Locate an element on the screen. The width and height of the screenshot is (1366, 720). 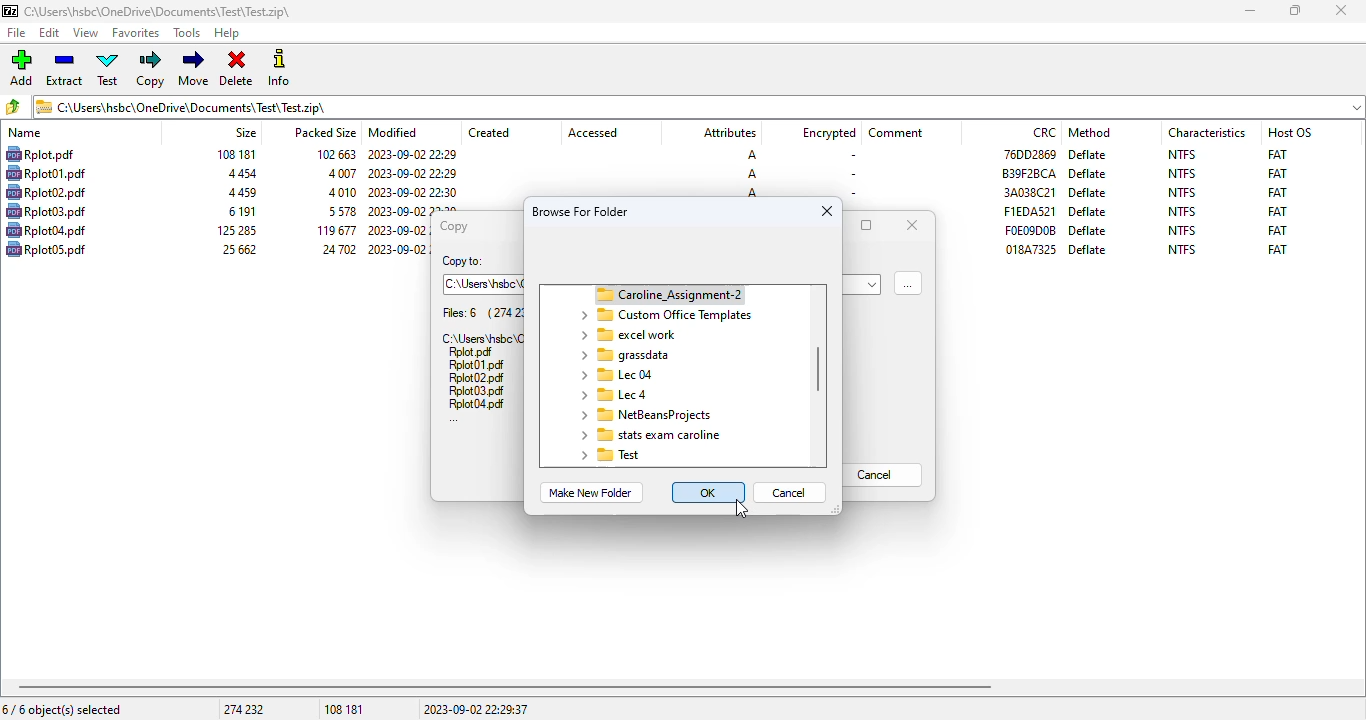
name is located at coordinates (25, 133).